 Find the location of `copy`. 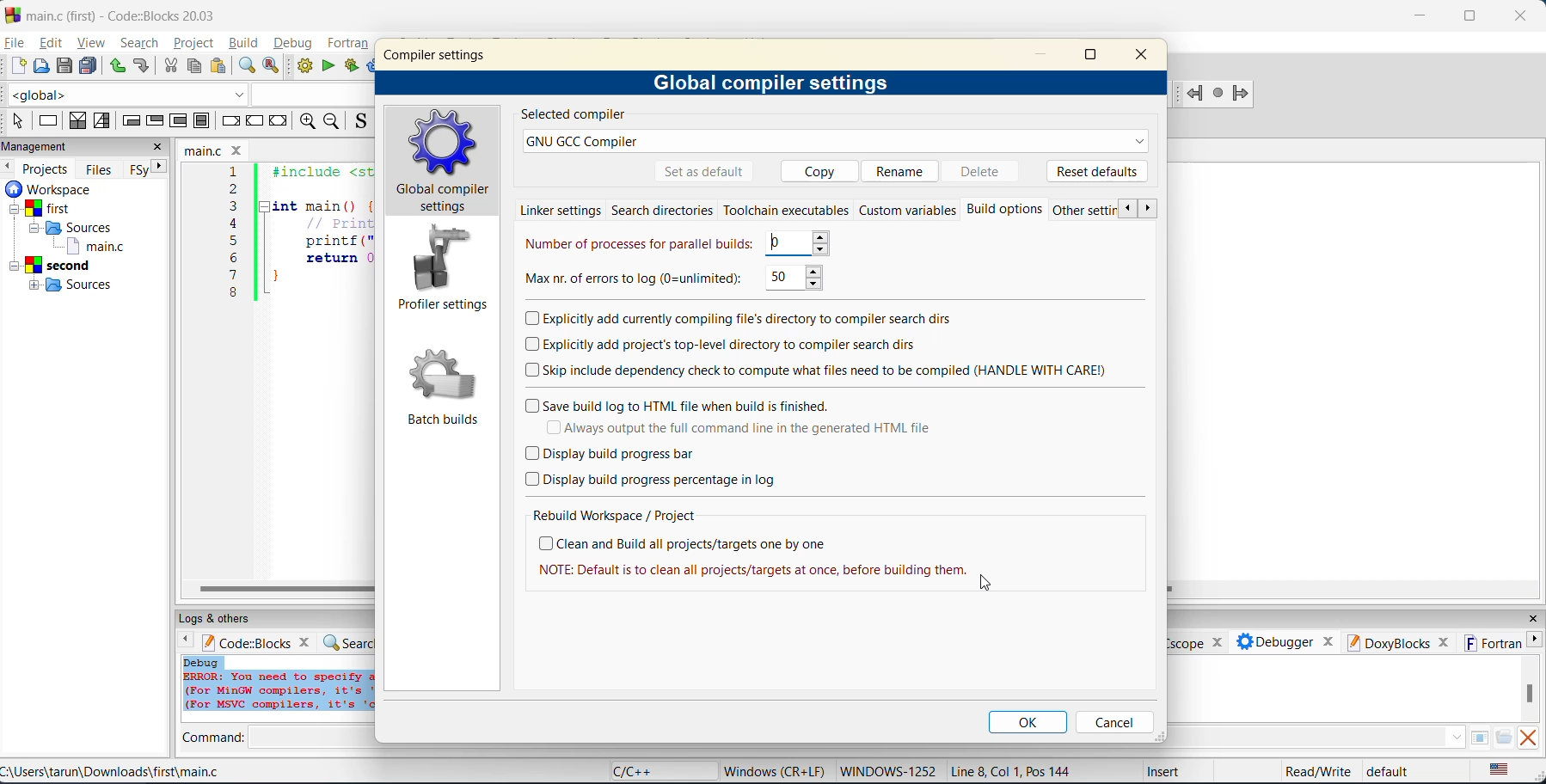

copy is located at coordinates (814, 170).